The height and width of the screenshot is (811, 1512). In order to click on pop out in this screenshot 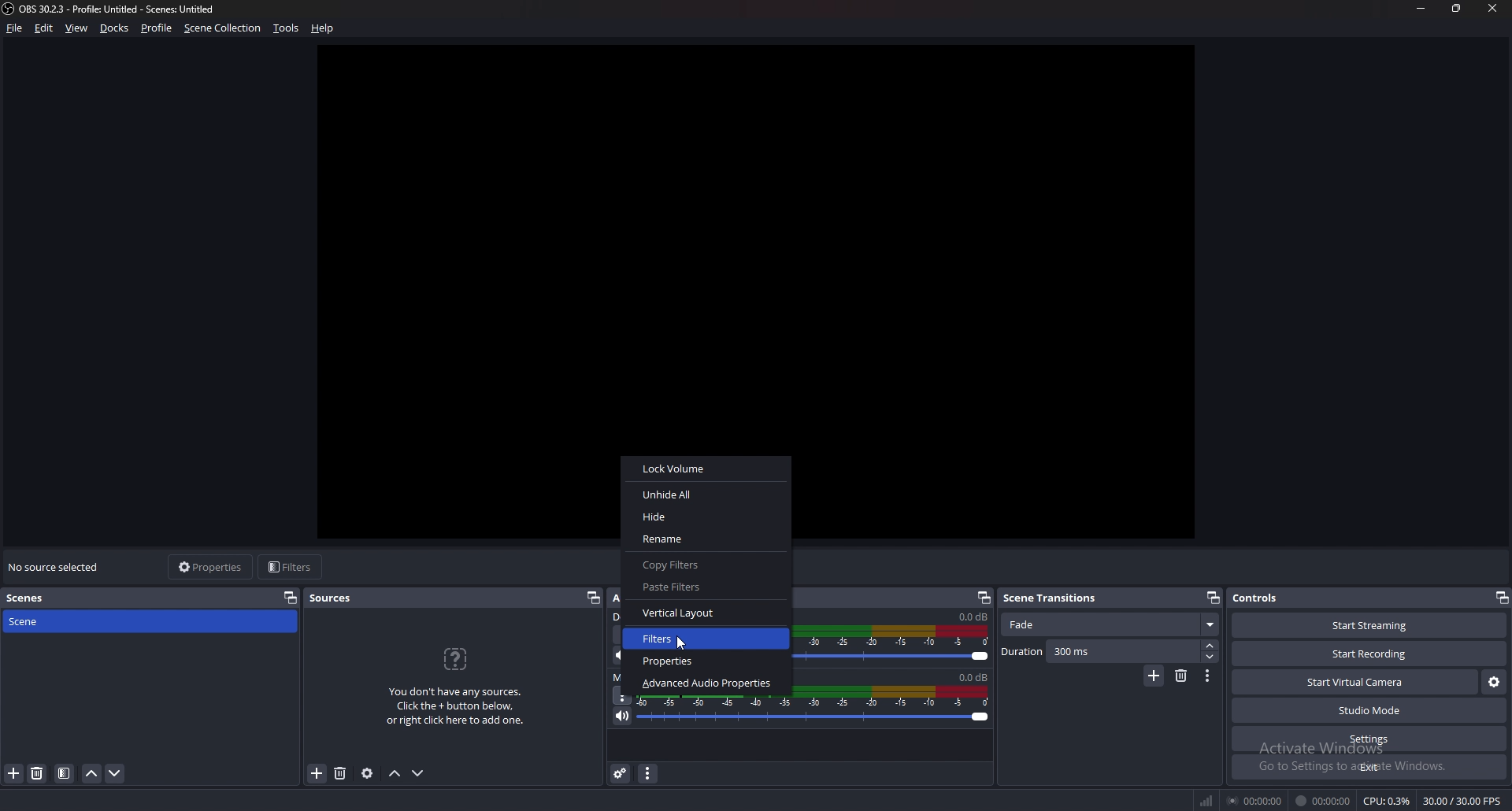, I will do `click(593, 599)`.